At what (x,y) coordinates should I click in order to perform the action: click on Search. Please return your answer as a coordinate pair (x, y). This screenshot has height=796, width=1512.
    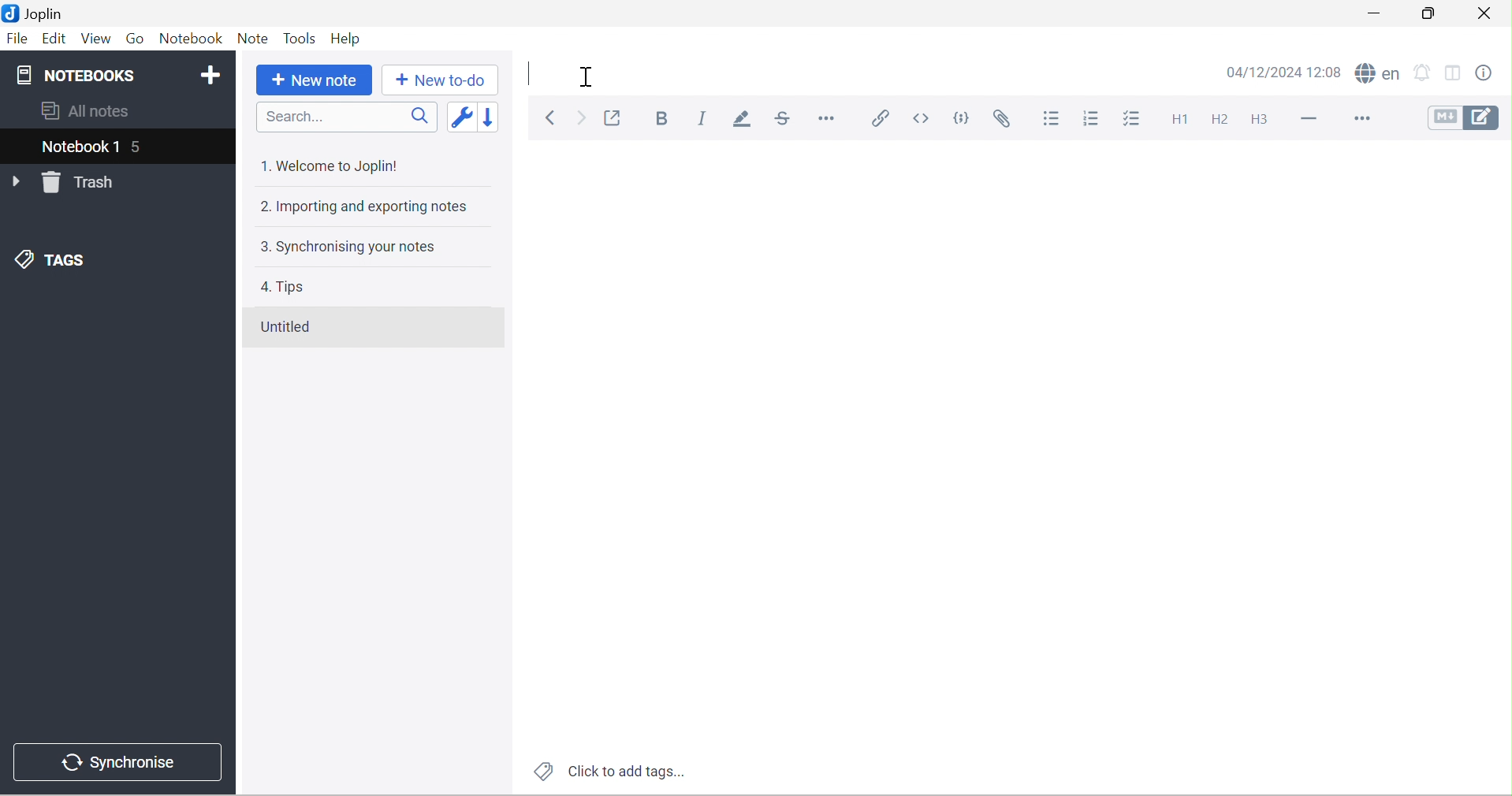
    Looking at the image, I should click on (348, 118).